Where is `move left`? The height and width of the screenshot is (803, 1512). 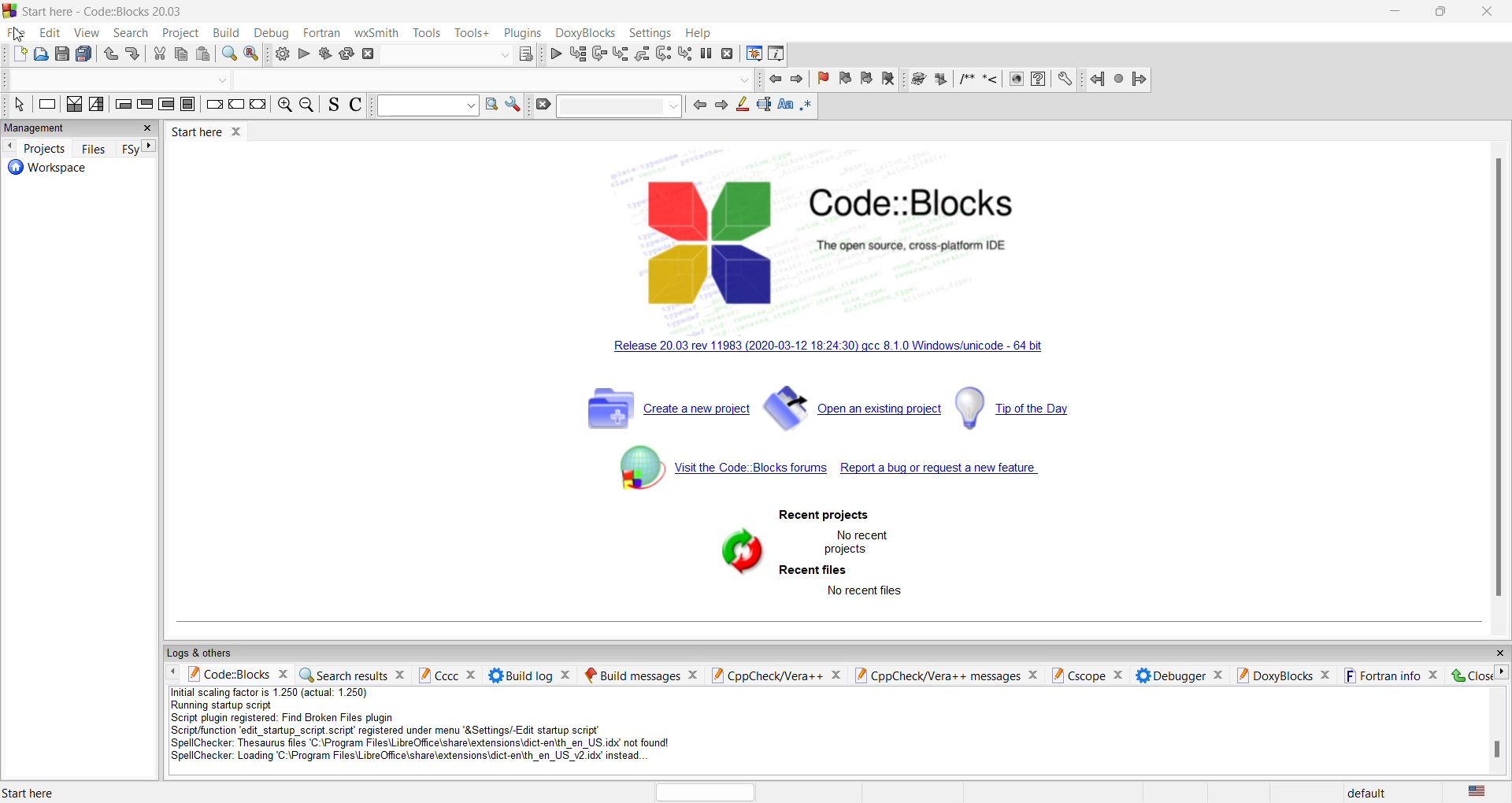
move left is located at coordinates (173, 672).